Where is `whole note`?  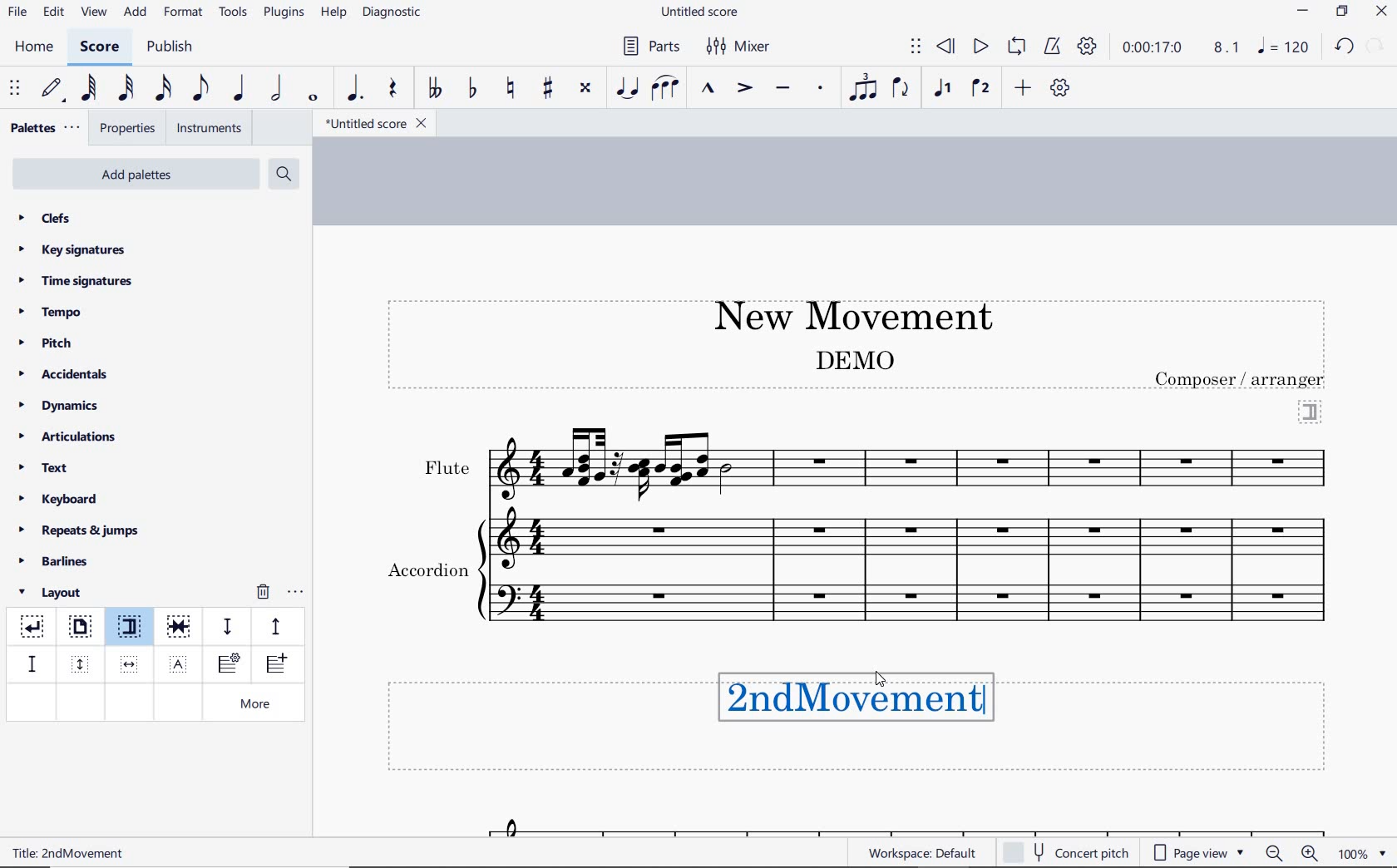
whole note is located at coordinates (314, 97).